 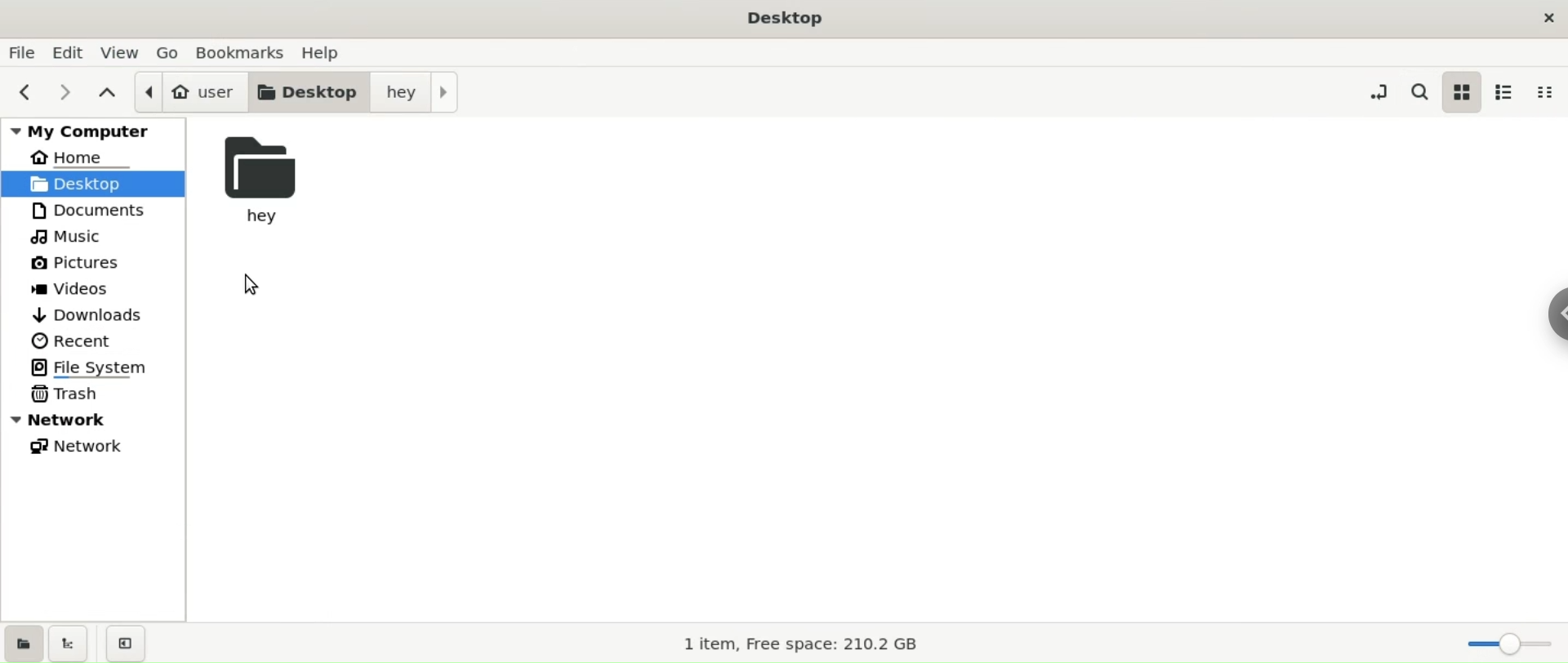 What do you see at coordinates (273, 178) in the screenshot?
I see `hey` at bounding box center [273, 178].